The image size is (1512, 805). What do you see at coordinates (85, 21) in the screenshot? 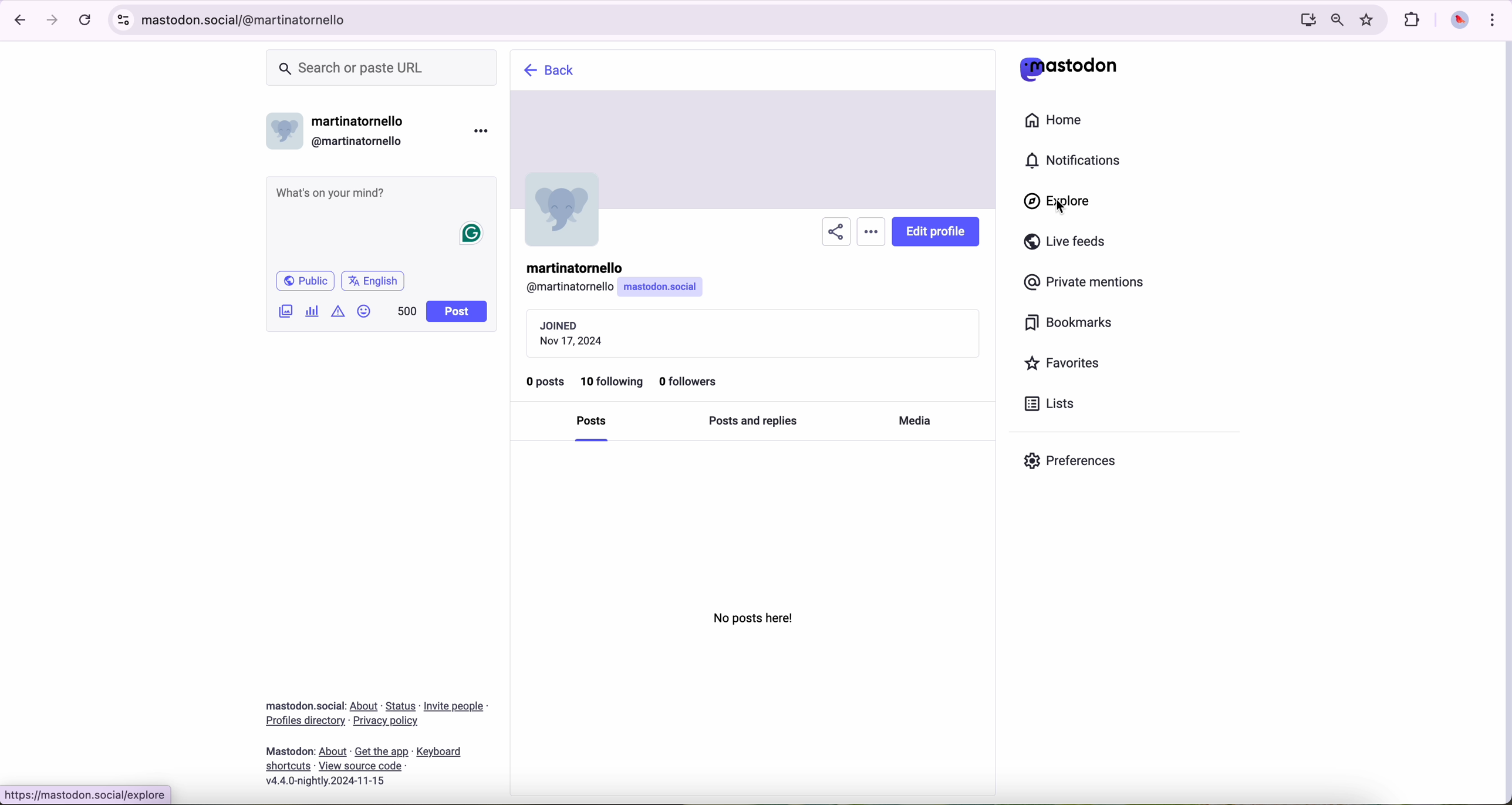
I see `refresh the page` at bounding box center [85, 21].